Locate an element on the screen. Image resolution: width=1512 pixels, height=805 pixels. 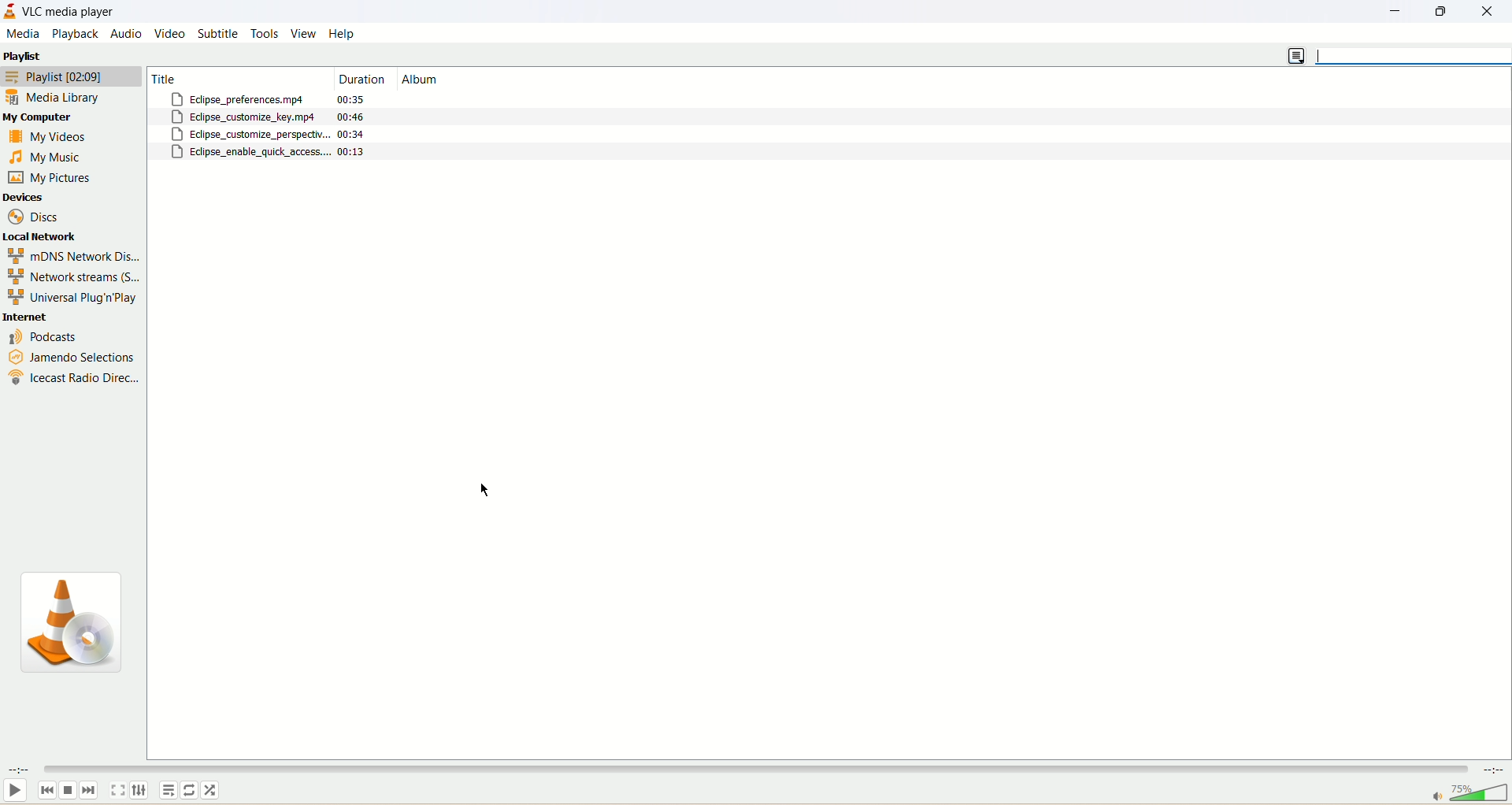
Eclipse_customize_perspectiv.. is located at coordinates (249, 135).